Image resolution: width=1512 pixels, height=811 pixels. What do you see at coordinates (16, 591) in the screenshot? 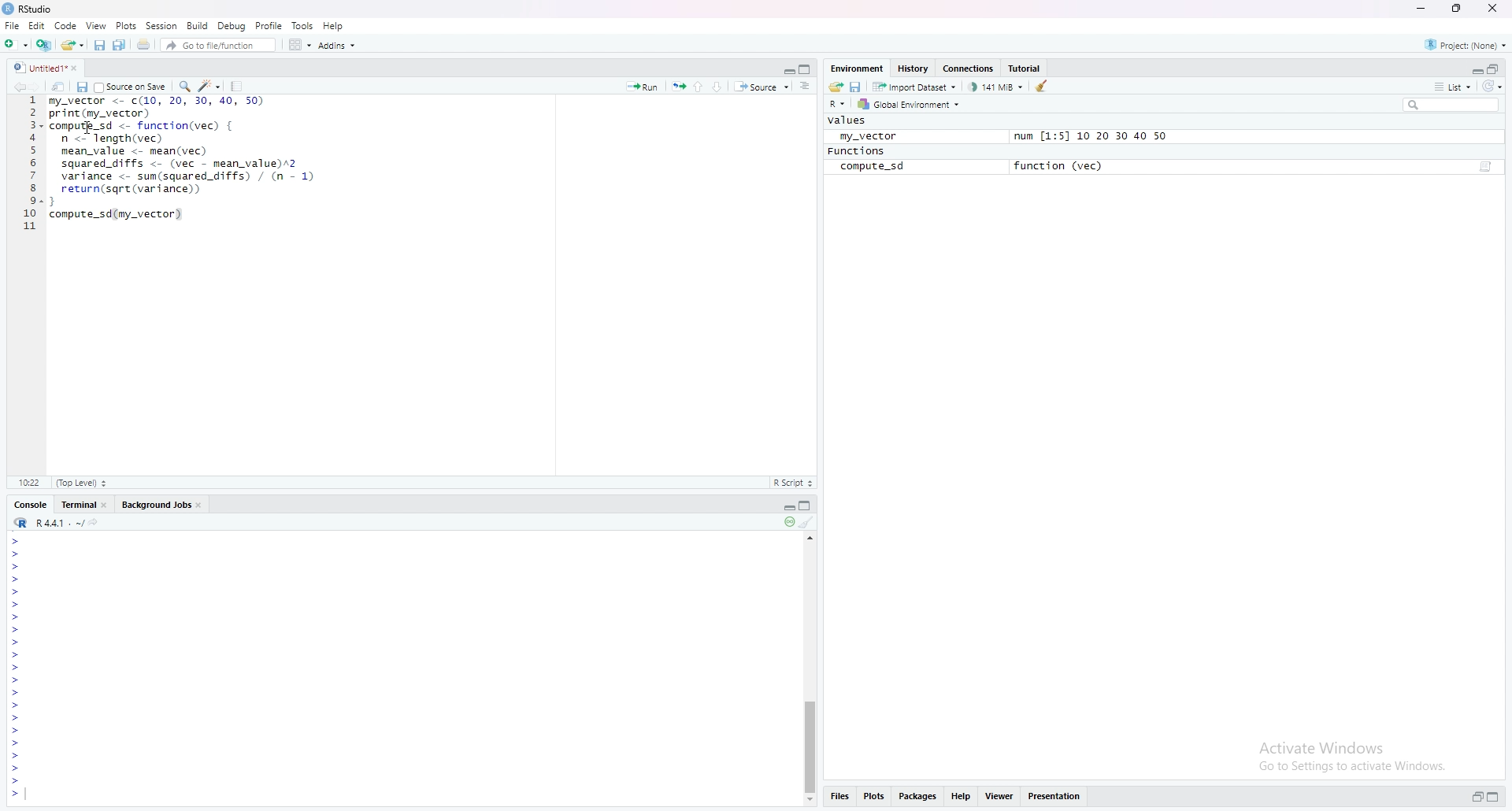
I see `Prompt Cursor` at bounding box center [16, 591].